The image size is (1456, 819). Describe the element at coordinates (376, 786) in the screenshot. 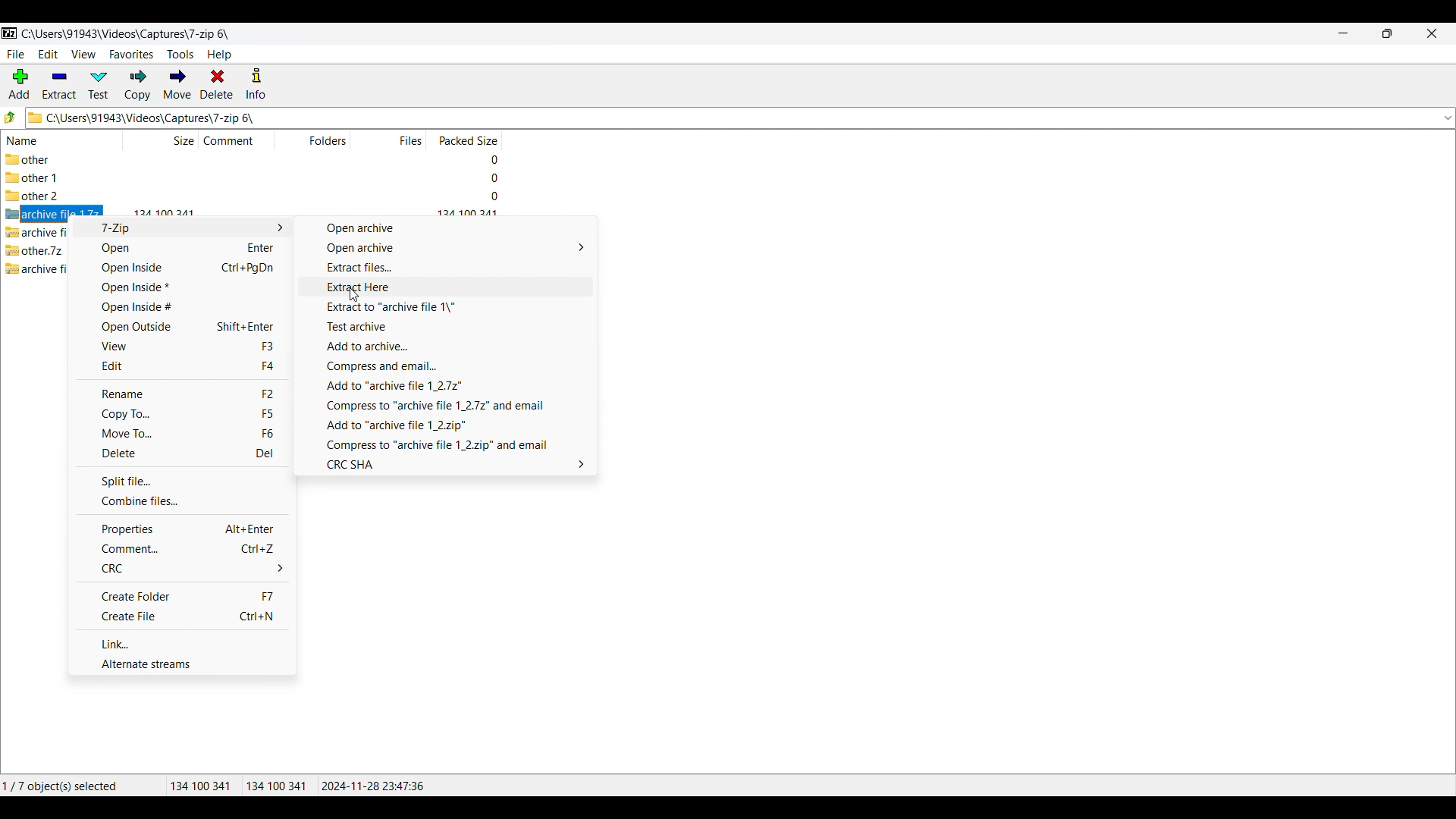

I see `2024-11-28 23:47:36` at that location.